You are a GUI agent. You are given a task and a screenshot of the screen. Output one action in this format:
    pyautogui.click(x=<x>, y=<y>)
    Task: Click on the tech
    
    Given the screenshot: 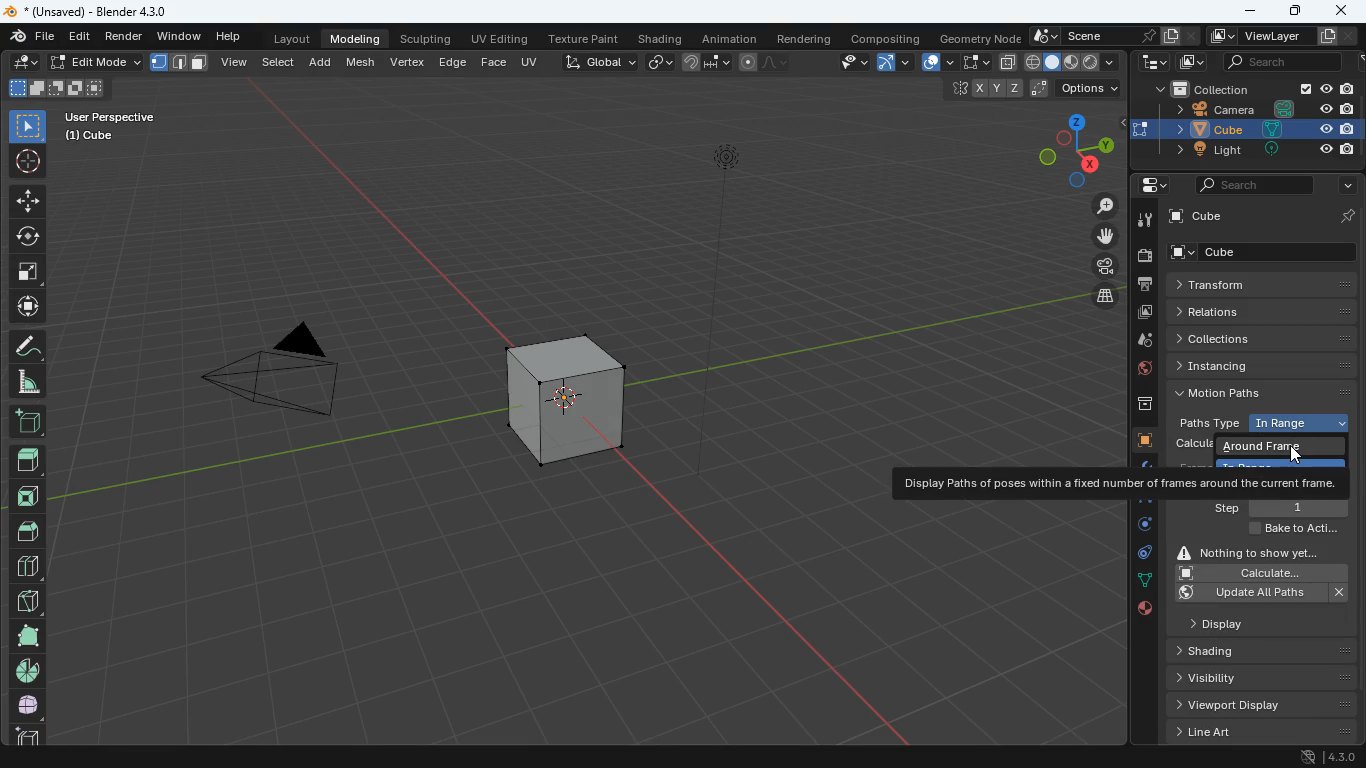 What is the action you would take?
    pyautogui.click(x=1153, y=63)
    